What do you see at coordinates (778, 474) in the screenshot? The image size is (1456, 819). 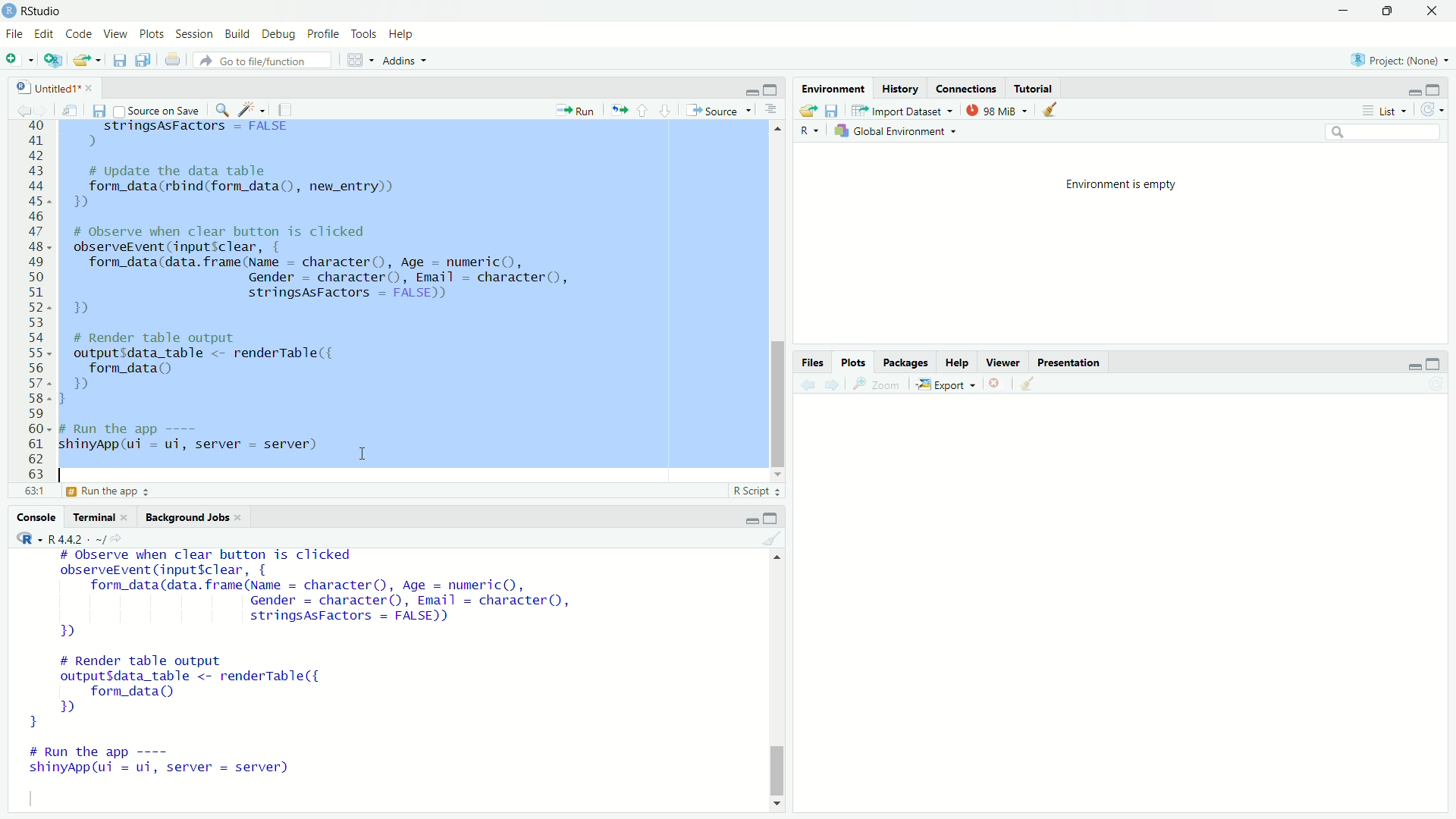 I see `move down` at bounding box center [778, 474].